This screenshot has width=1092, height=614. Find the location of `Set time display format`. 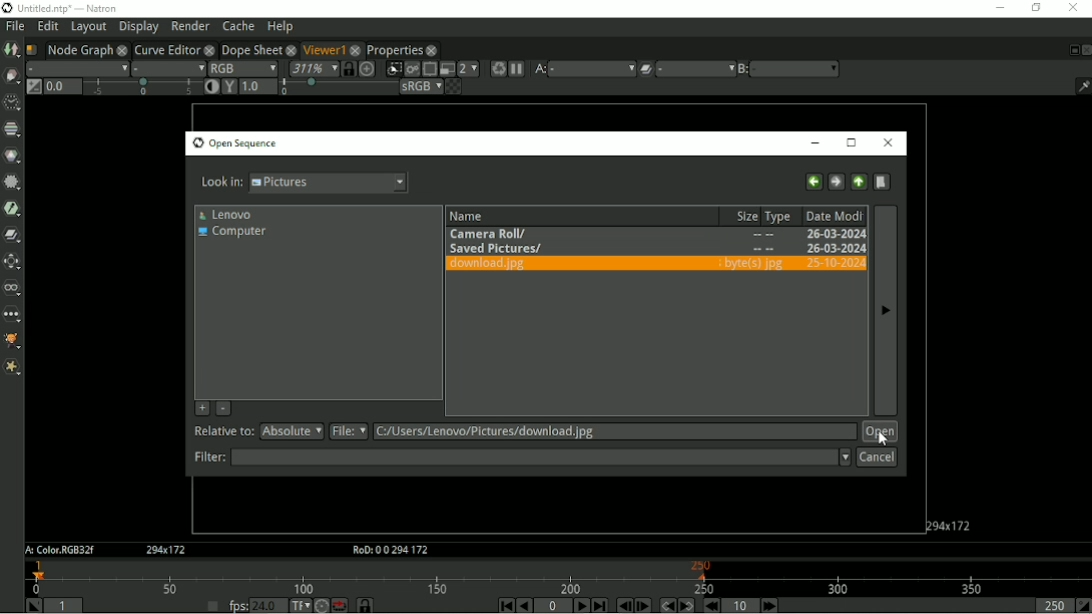

Set time display format is located at coordinates (299, 605).